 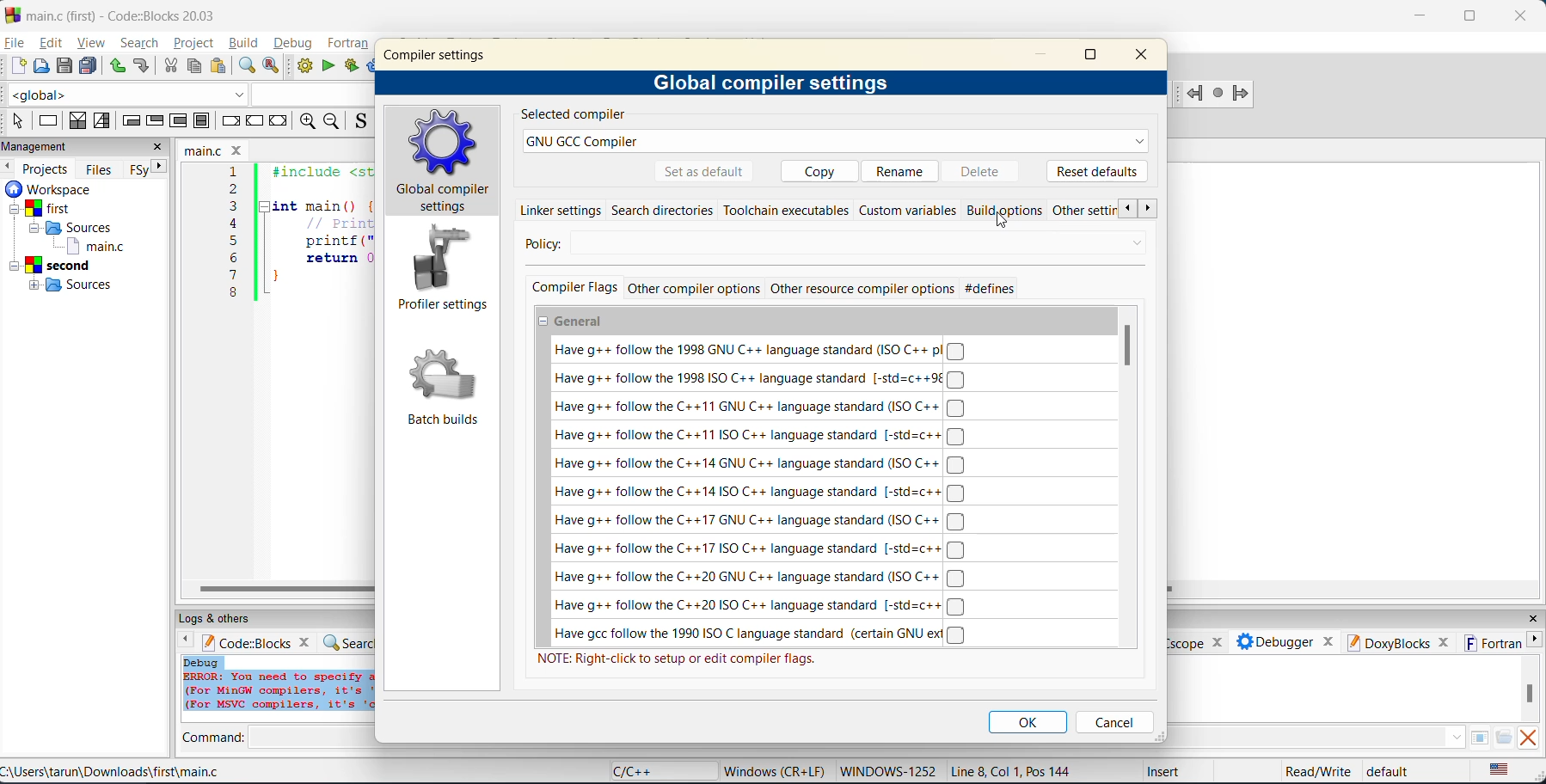 What do you see at coordinates (77, 122) in the screenshot?
I see `decision` at bounding box center [77, 122].